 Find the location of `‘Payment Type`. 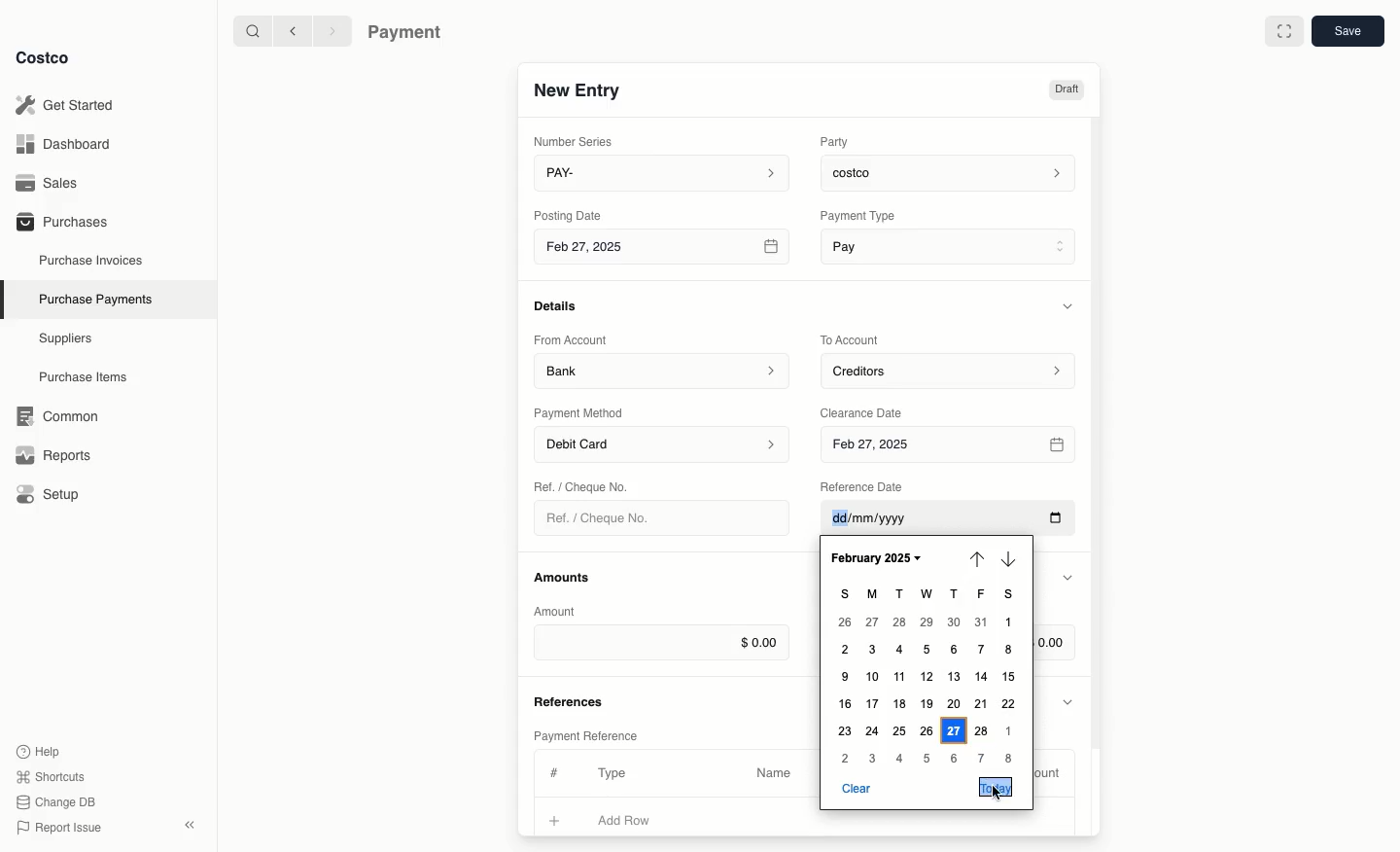

‘Payment Type is located at coordinates (857, 215).